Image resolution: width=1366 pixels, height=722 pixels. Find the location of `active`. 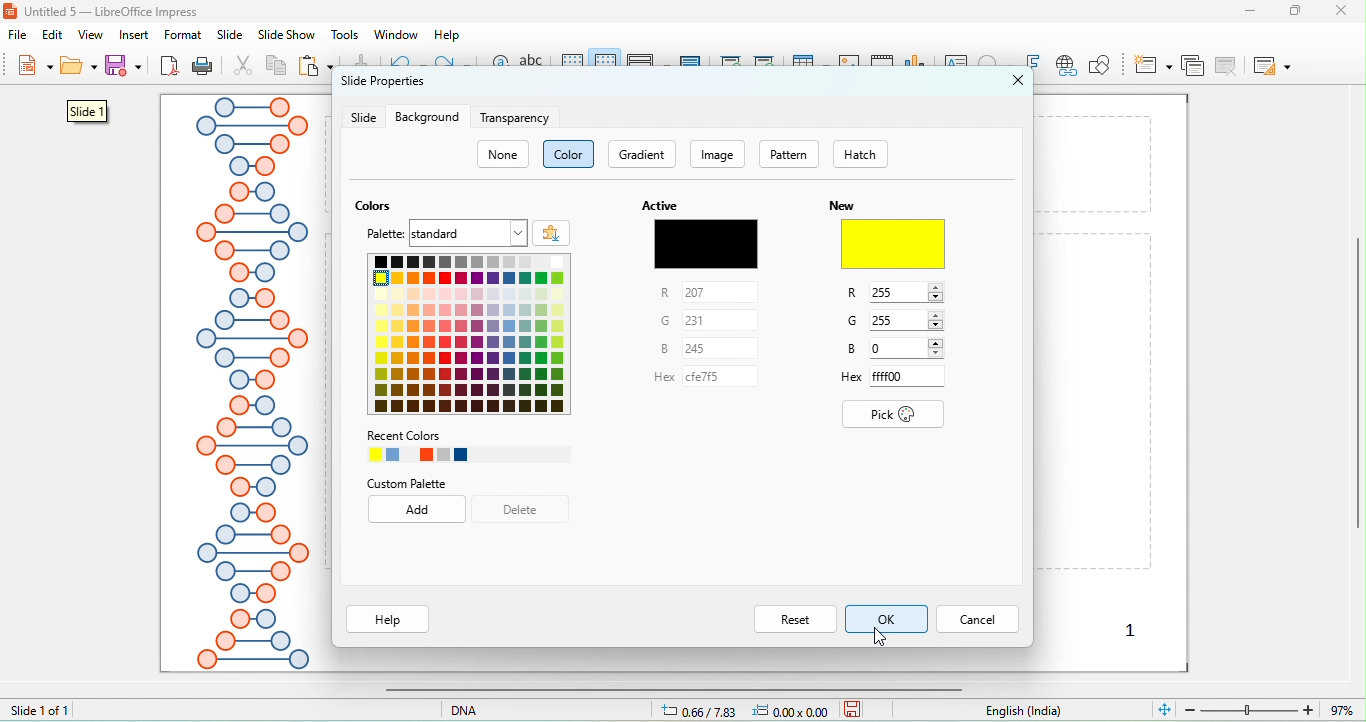

active is located at coordinates (658, 205).